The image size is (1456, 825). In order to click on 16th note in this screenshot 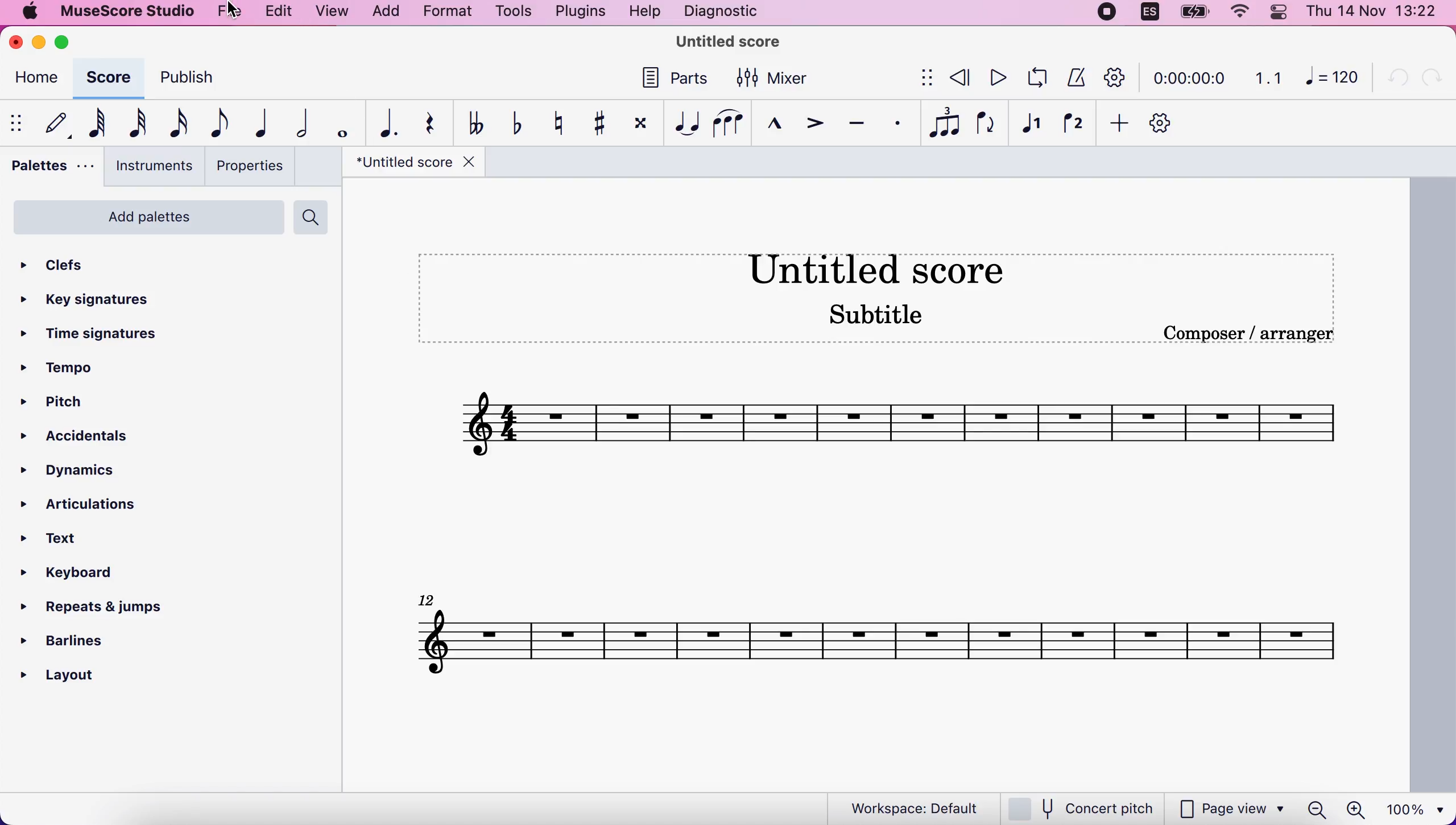, I will do `click(175, 125)`.